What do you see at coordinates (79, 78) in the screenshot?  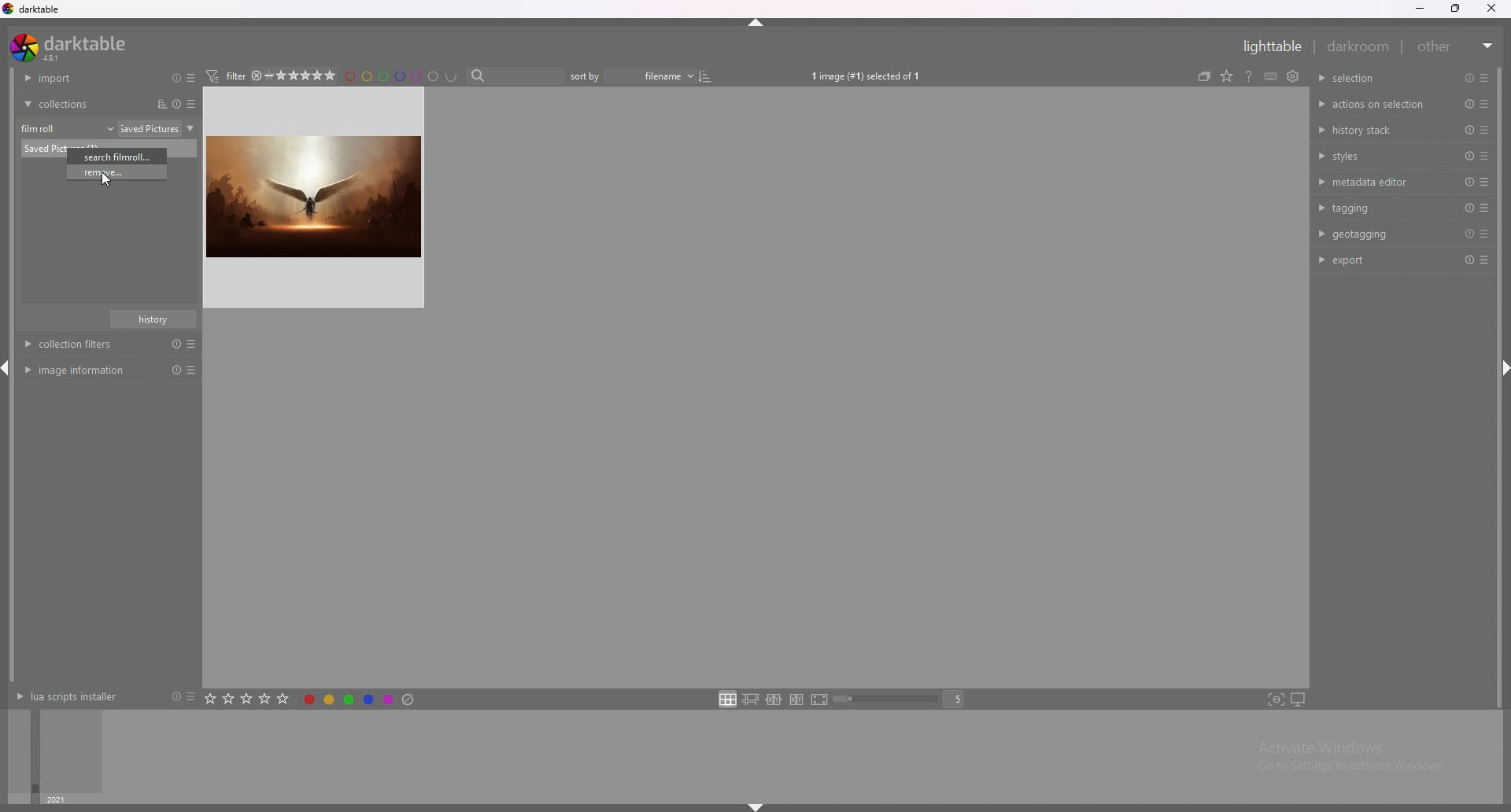 I see `import` at bounding box center [79, 78].